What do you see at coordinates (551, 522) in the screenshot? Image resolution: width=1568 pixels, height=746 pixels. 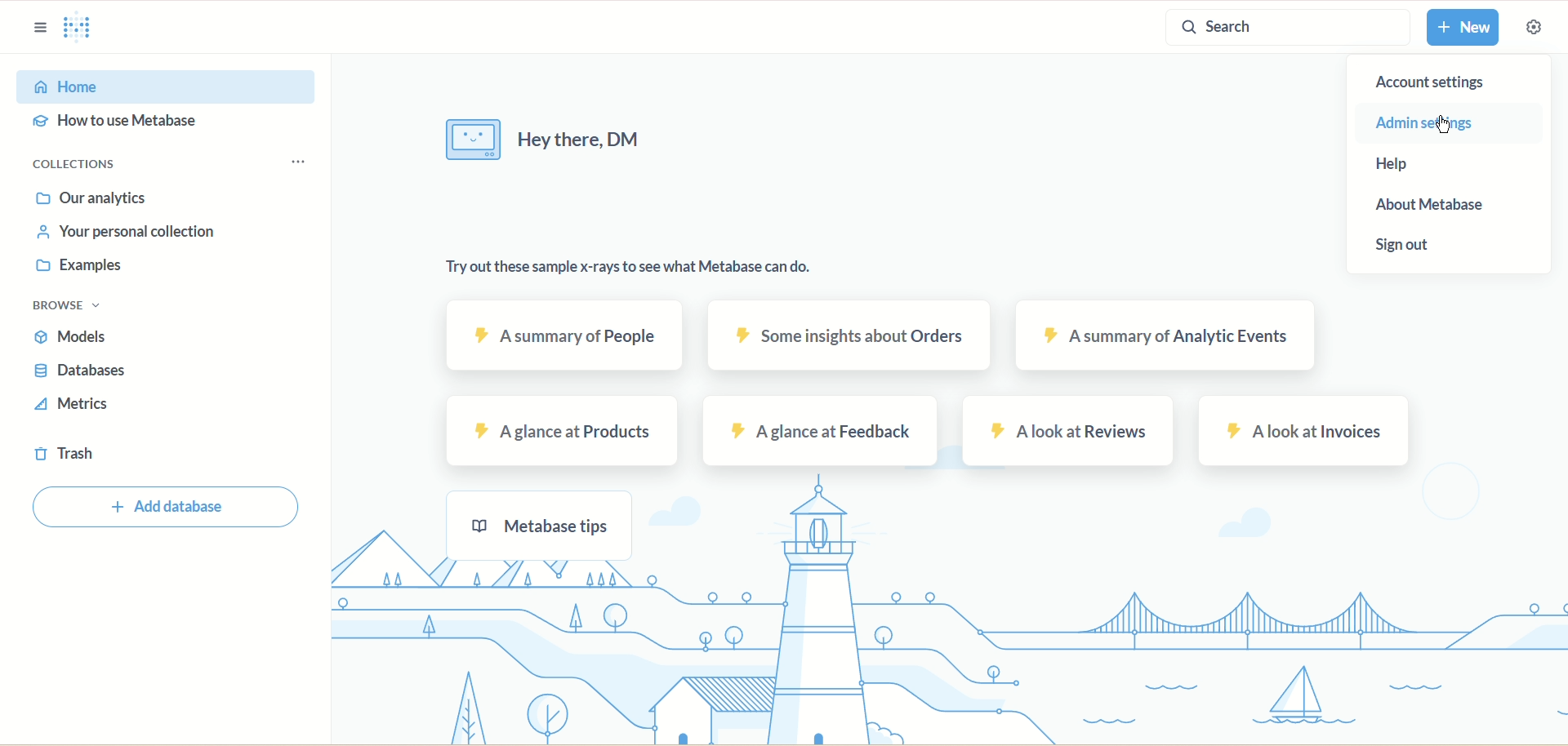 I see `Metabase tips` at bounding box center [551, 522].